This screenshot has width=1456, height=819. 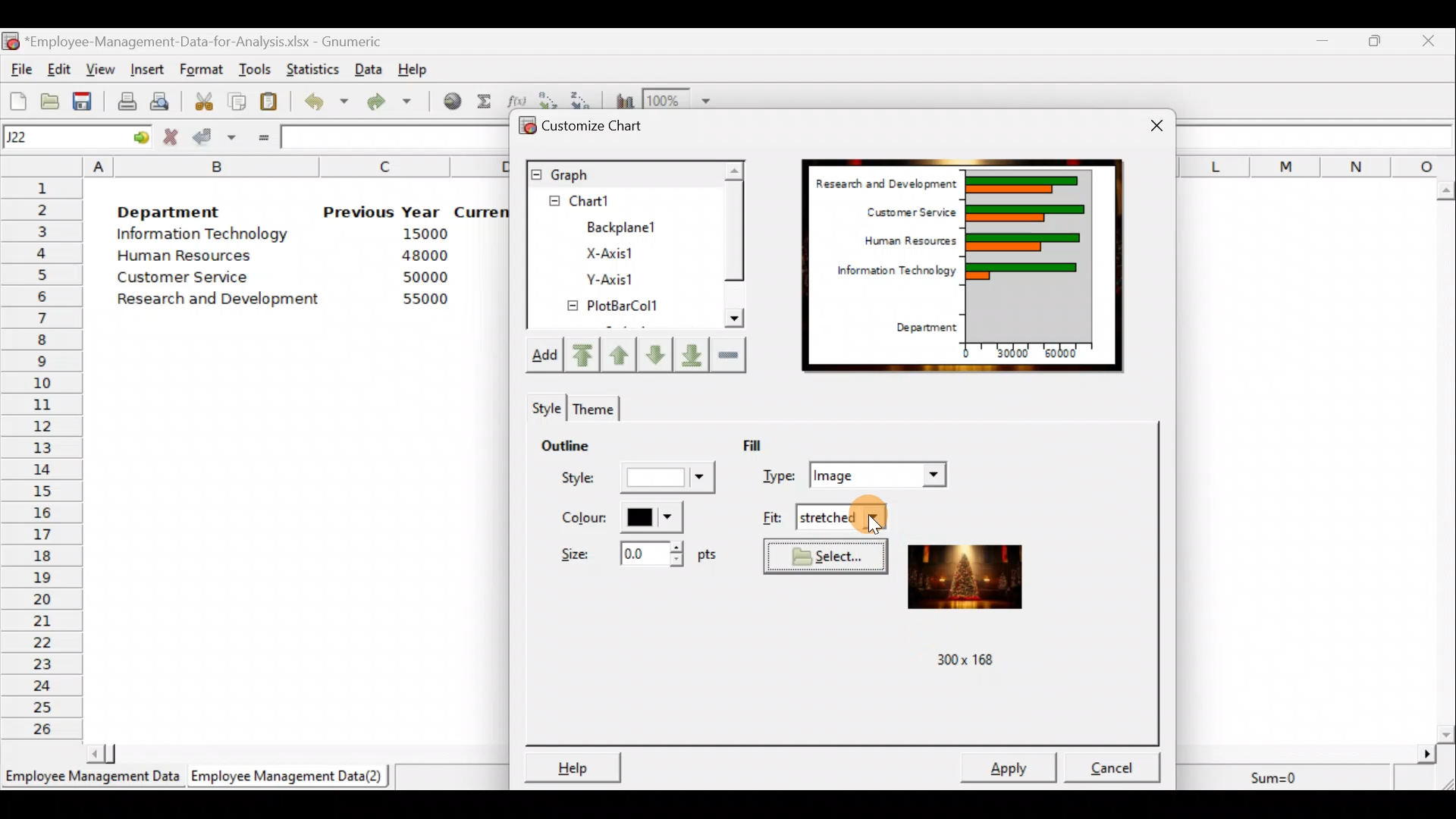 What do you see at coordinates (176, 278) in the screenshot?
I see `Customer Service` at bounding box center [176, 278].